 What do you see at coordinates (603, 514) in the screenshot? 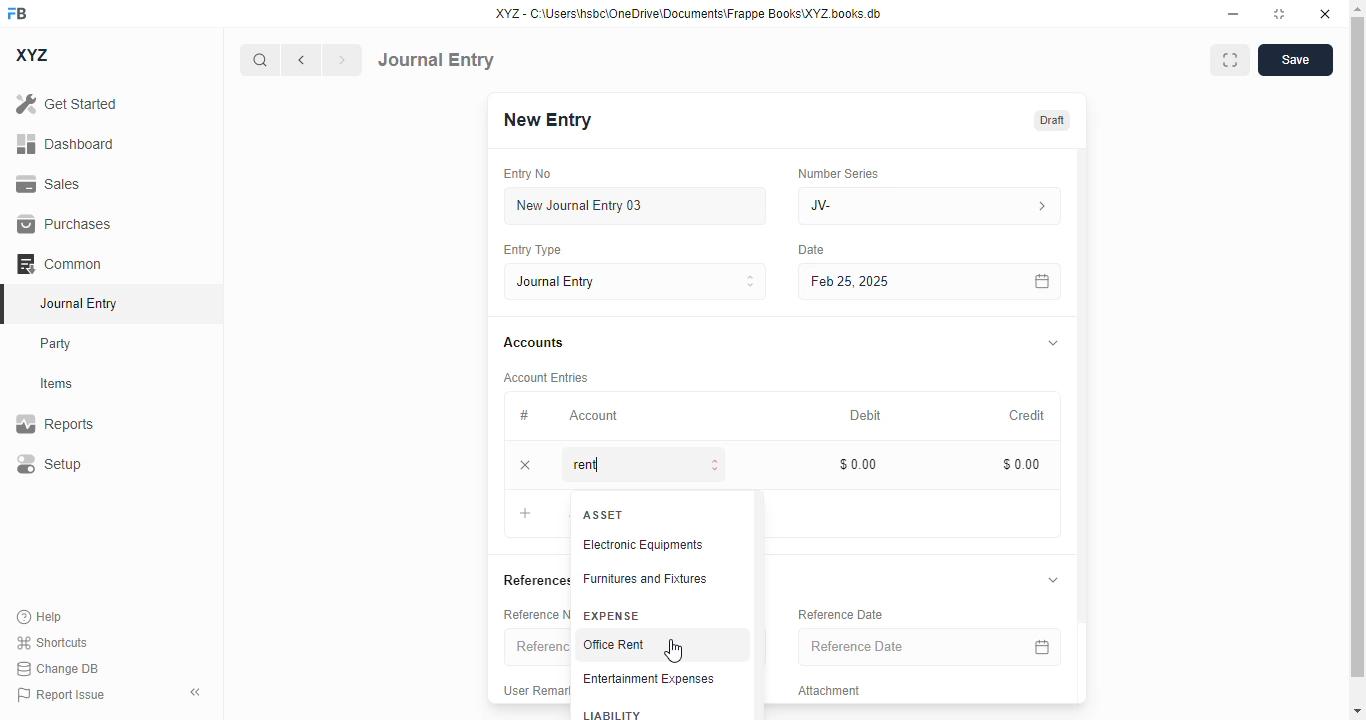
I see `ASSET` at bounding box center [603, 514].